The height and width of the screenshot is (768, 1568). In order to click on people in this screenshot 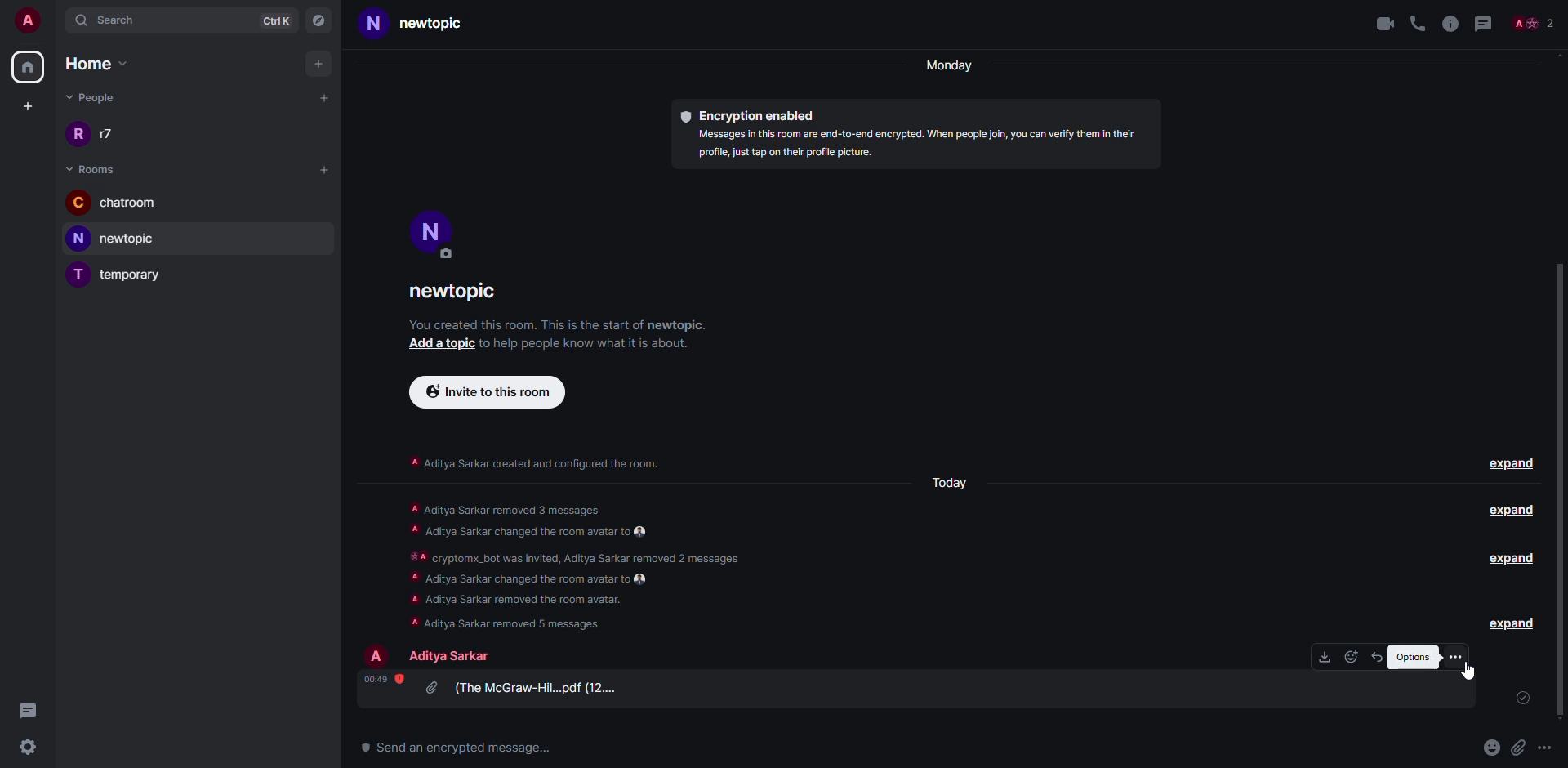, I will do `click(453, 655)`.